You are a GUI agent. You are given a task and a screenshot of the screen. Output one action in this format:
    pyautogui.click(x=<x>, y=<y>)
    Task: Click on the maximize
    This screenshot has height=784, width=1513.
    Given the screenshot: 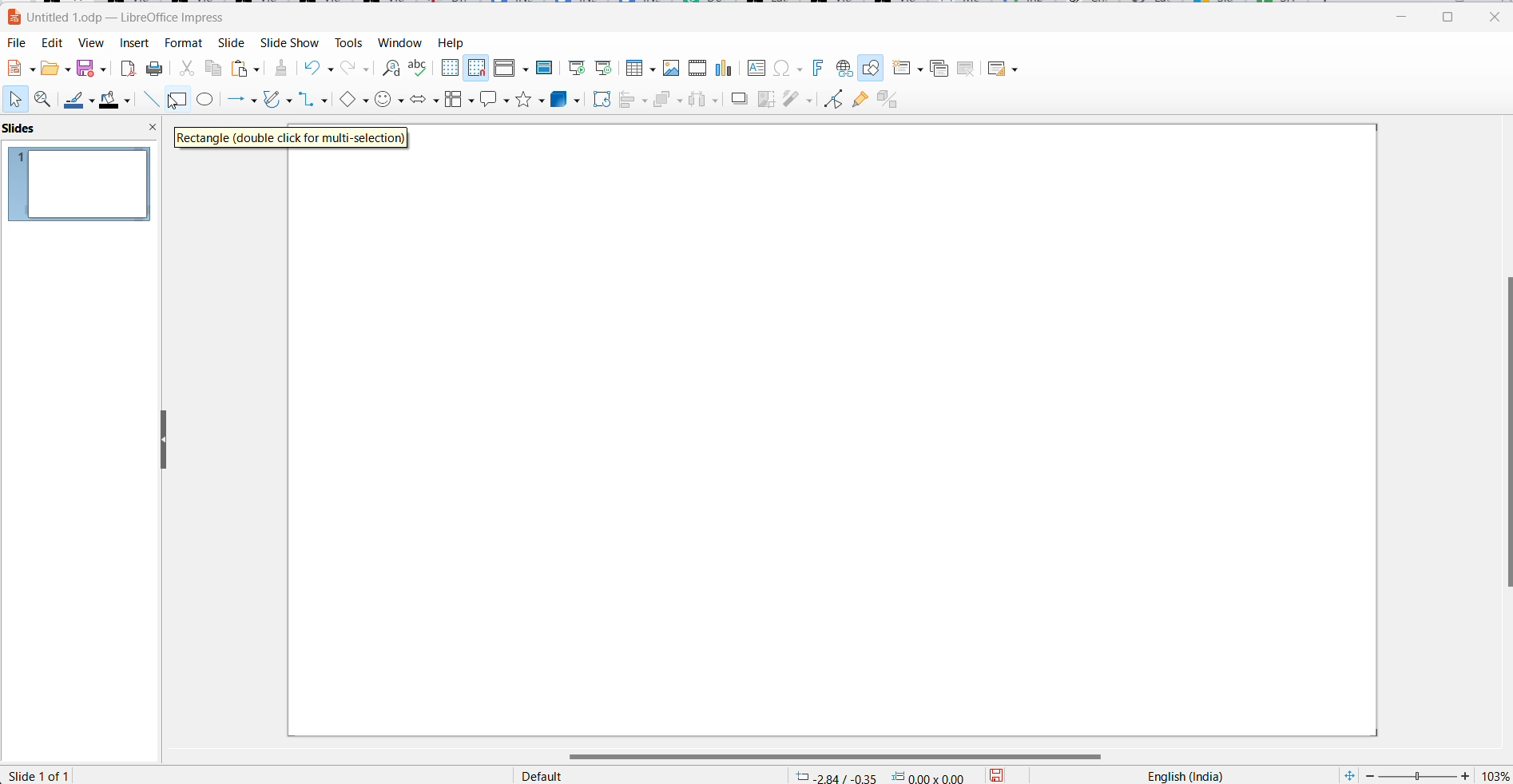 What is the action you would take?
    pyautogui.click(x=1453, y=15)
    